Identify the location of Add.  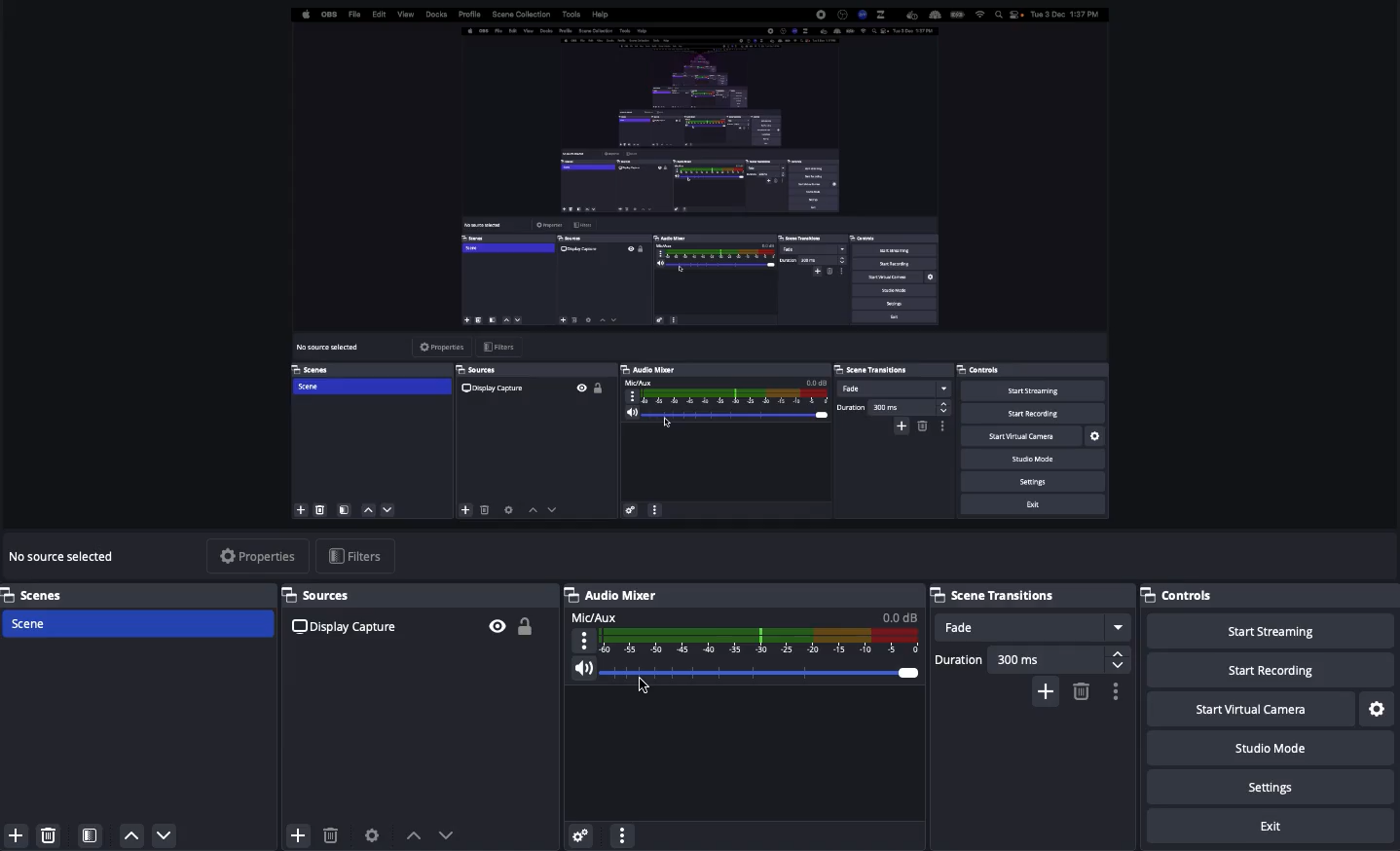
(1046, 689).